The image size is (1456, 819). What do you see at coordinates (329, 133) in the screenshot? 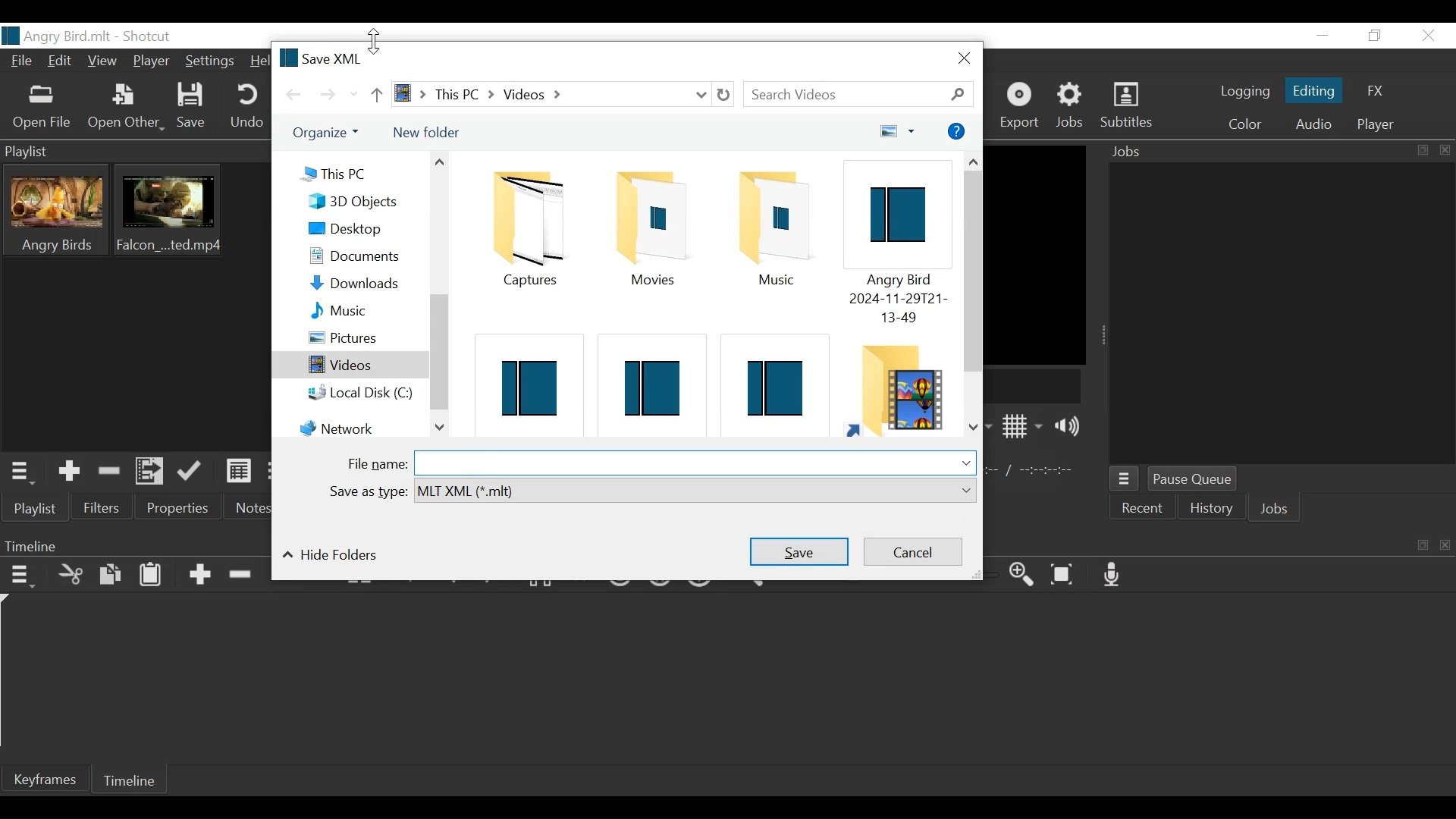
I see `Organize` at bounding box center [329, 133].